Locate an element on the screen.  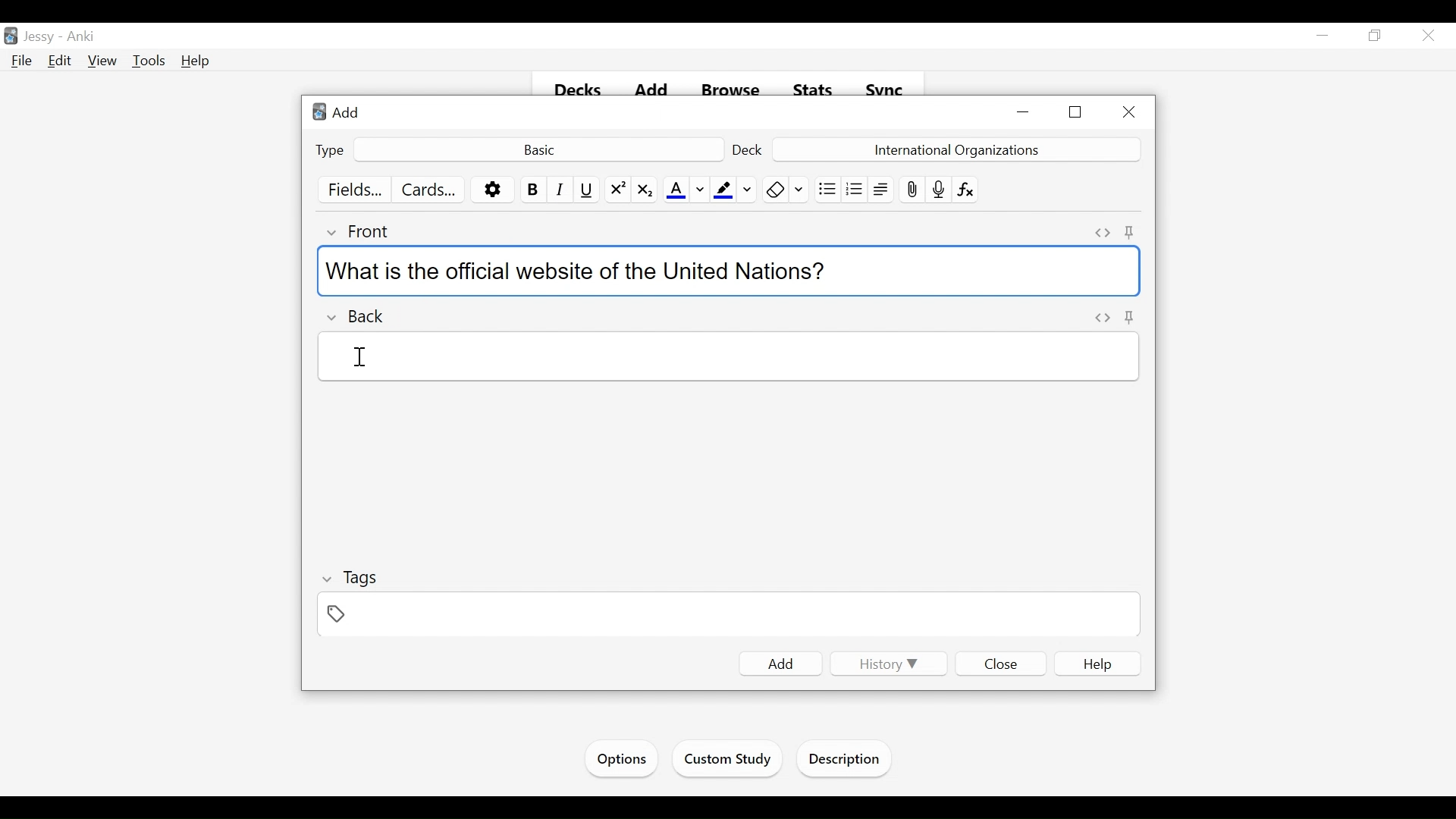
Type is located at coordinates (328, 150).